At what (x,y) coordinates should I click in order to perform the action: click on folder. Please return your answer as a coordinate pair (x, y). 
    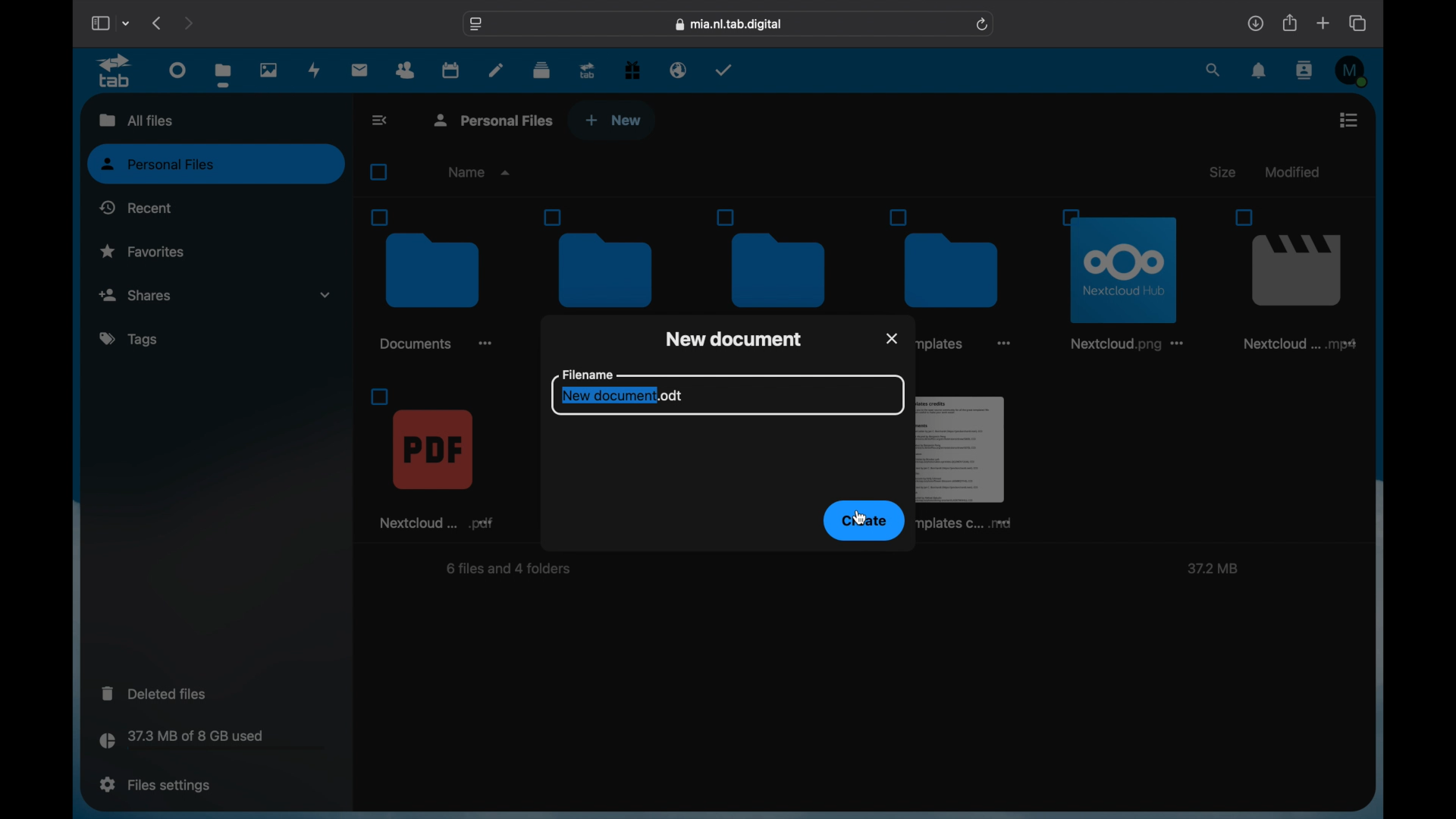
    Looking at the image, I should click on (777, 259).